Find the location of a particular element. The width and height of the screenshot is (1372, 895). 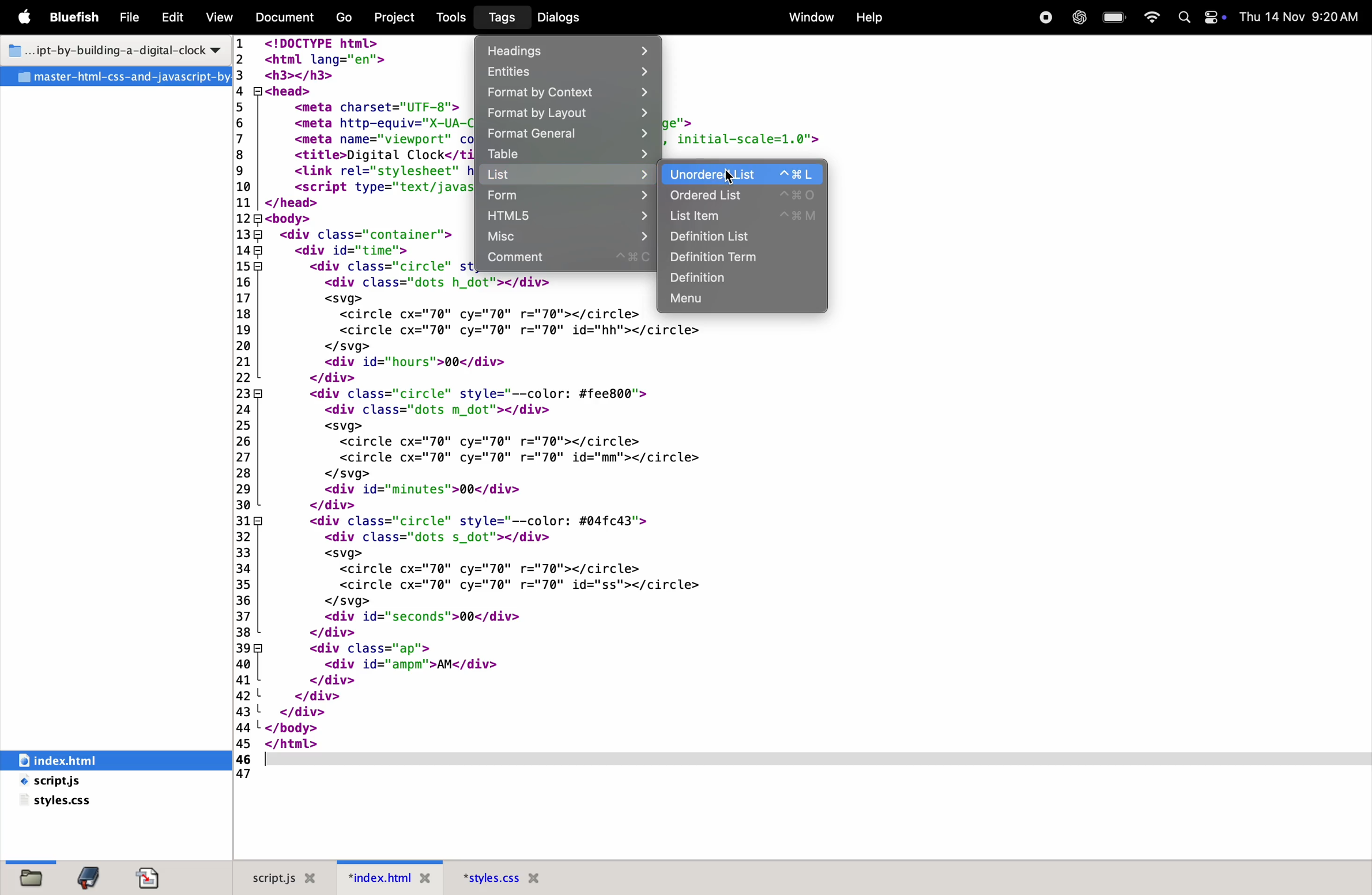

style.css is located at coordinates (61, 803).